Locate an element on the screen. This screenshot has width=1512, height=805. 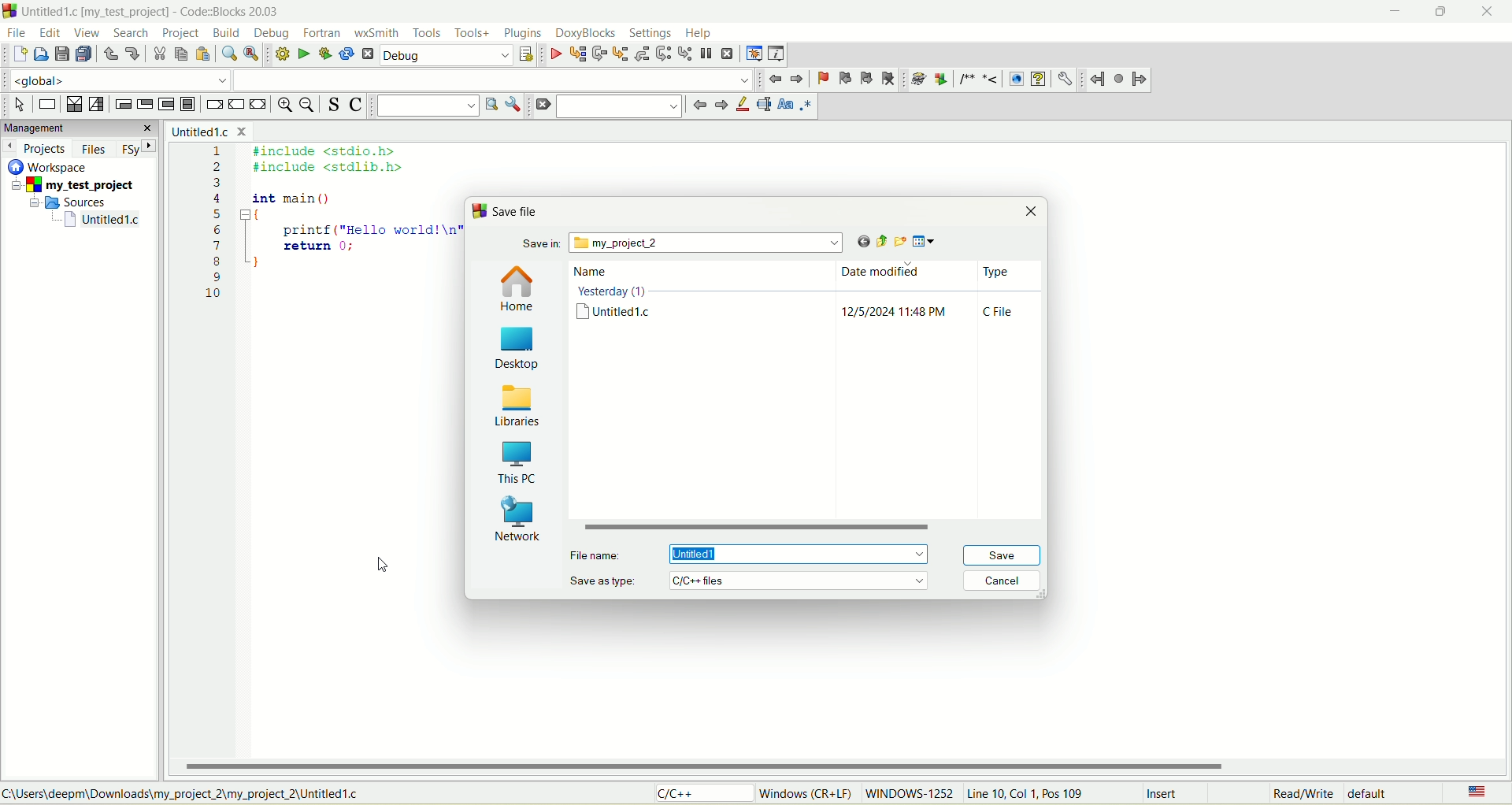
doxywizard is located at coordinates (916, 80).